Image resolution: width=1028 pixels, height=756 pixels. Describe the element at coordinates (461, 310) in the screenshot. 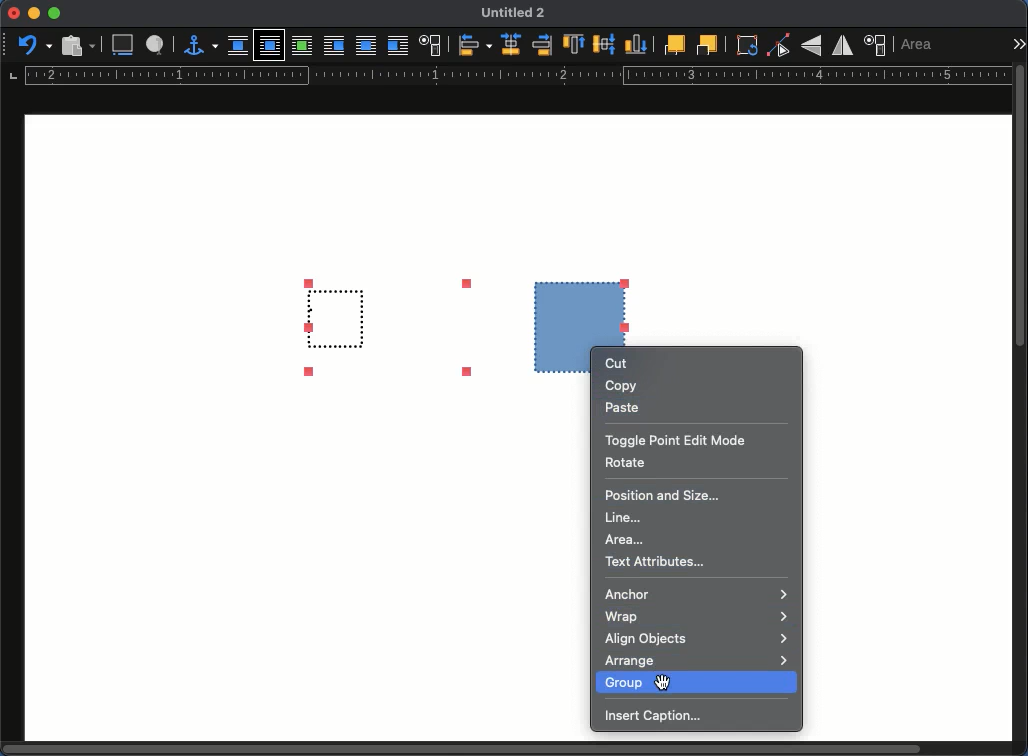

I see `selected ` at that location.